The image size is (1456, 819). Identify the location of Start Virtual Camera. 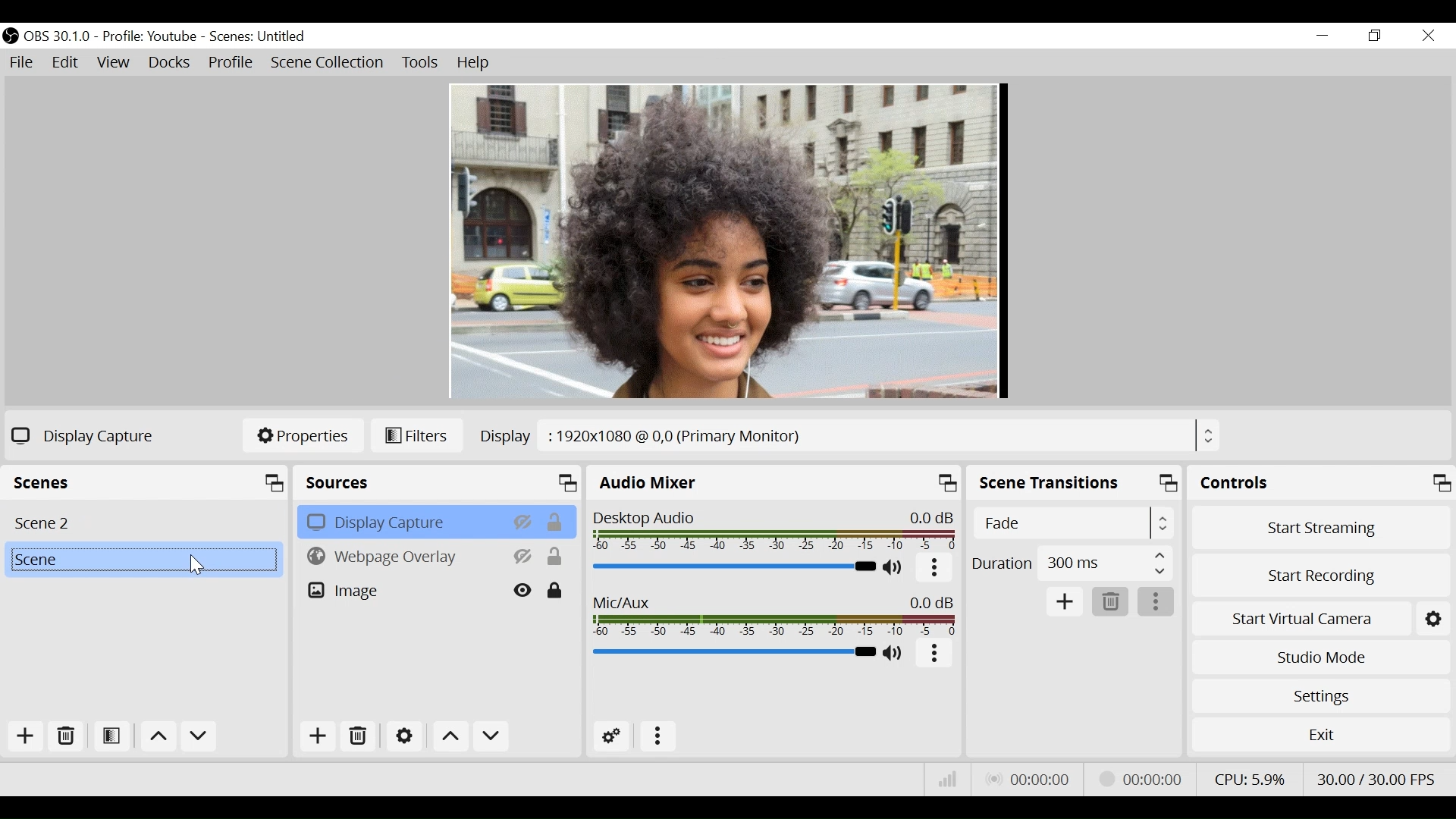
(1301, 620).